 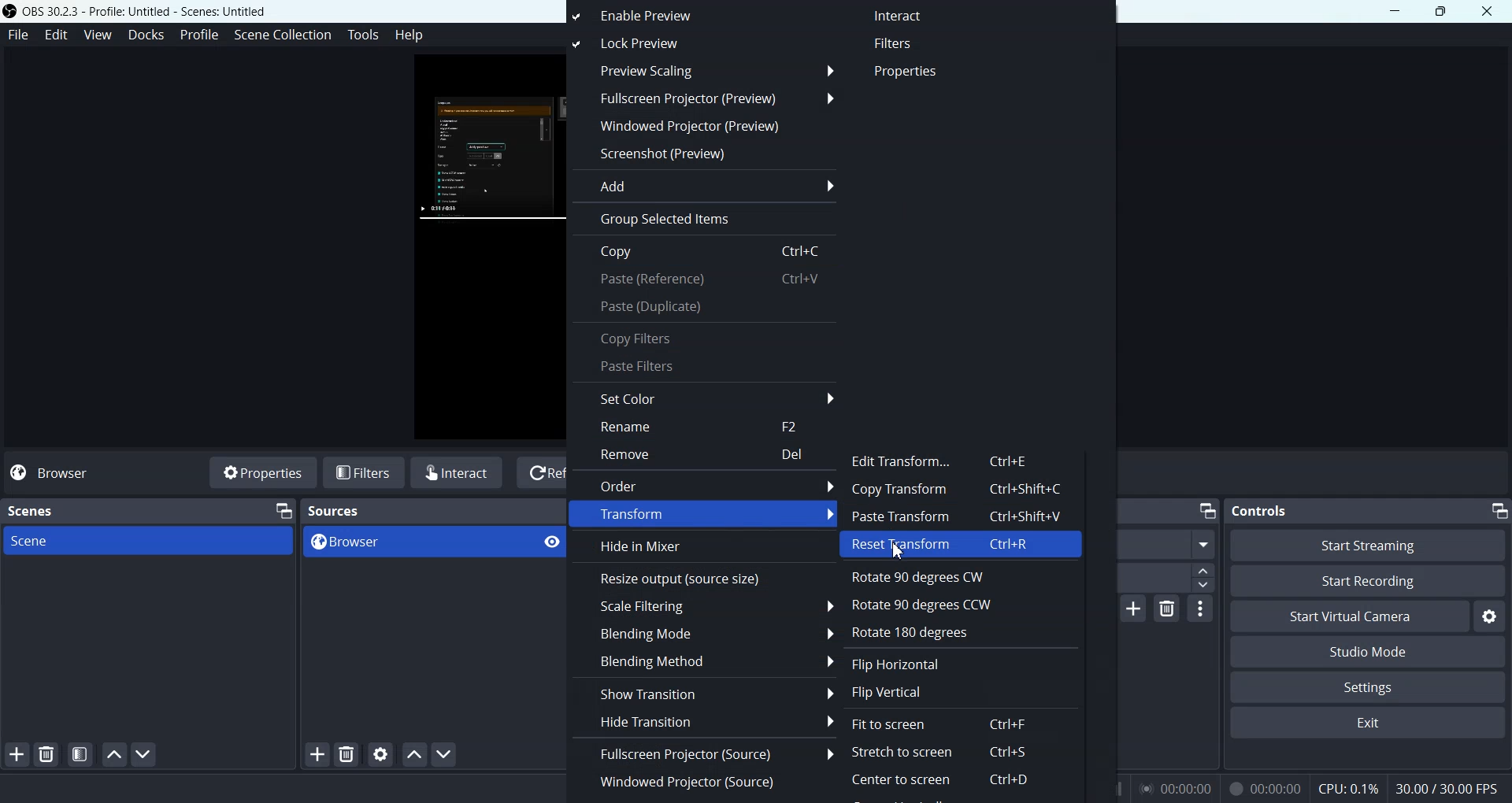 What do you see at coordinates (905, 17) in the screenshot?
I see `Interact` at bounding box center [905, 17].